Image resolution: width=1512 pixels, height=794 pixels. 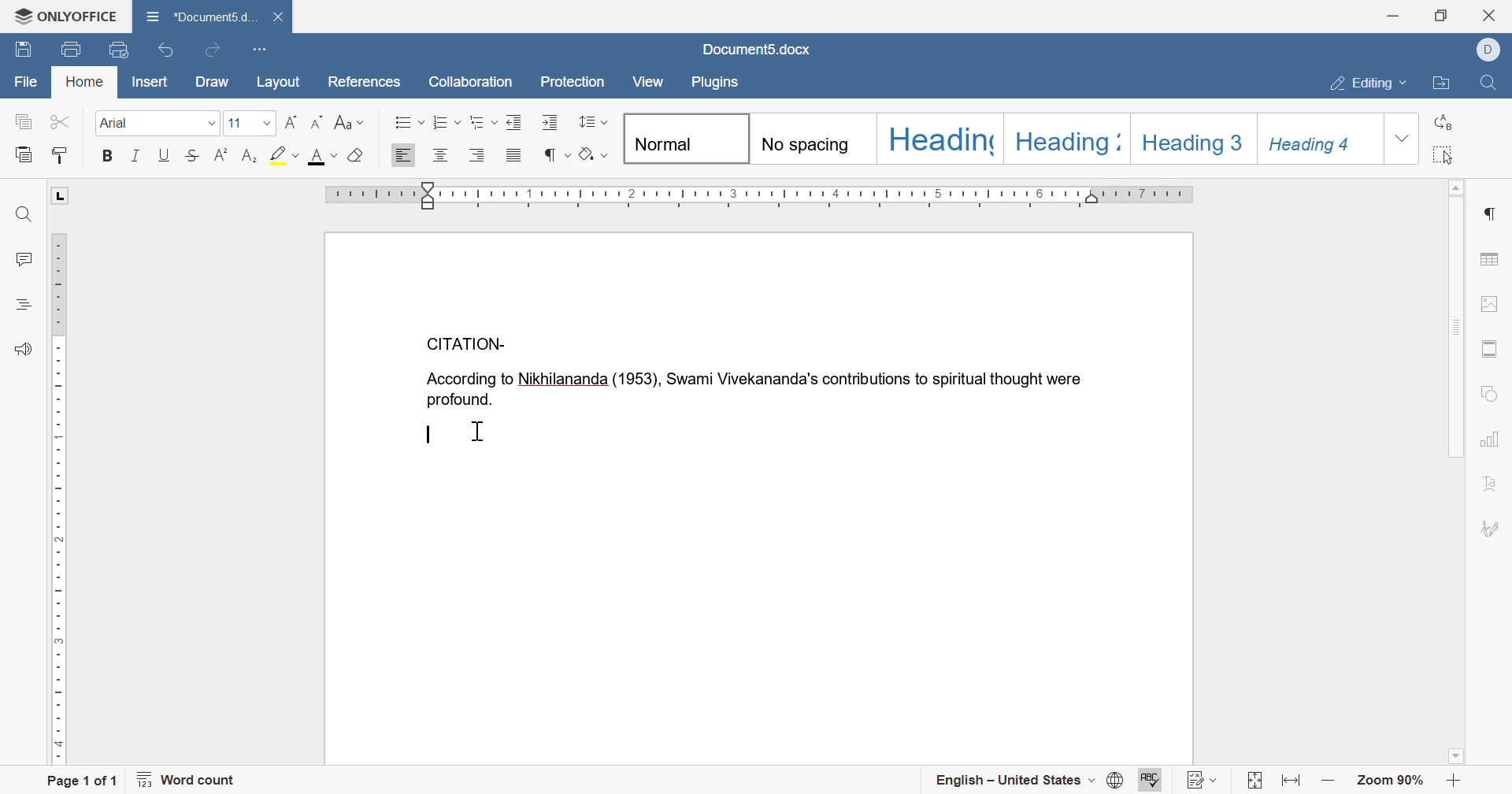 What do you see at coordinates (153, 82) in the screenshot?
I see `insert` at bounding box center [153, 82].